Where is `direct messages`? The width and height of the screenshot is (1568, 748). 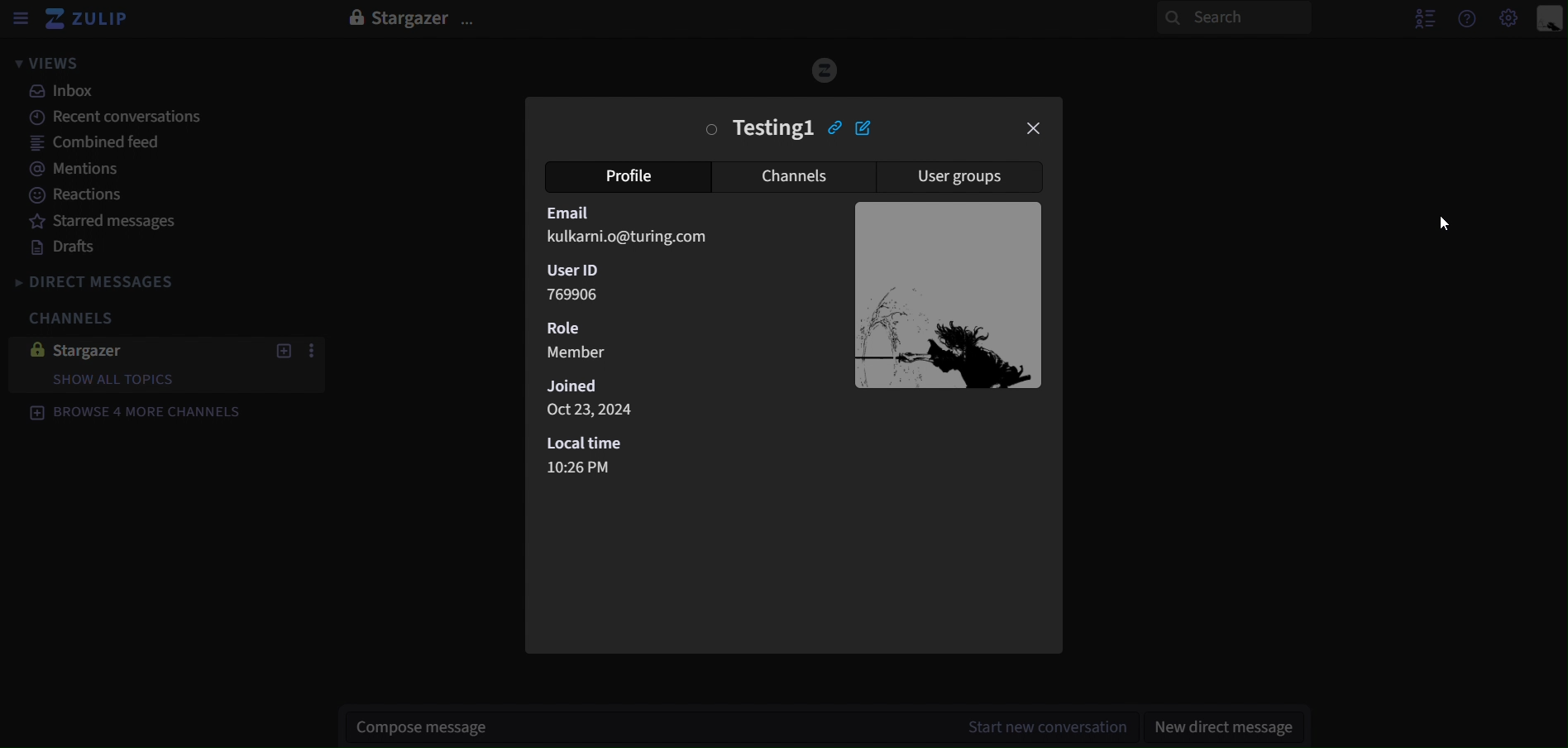
direct messages is located at coordinates (103, 280).